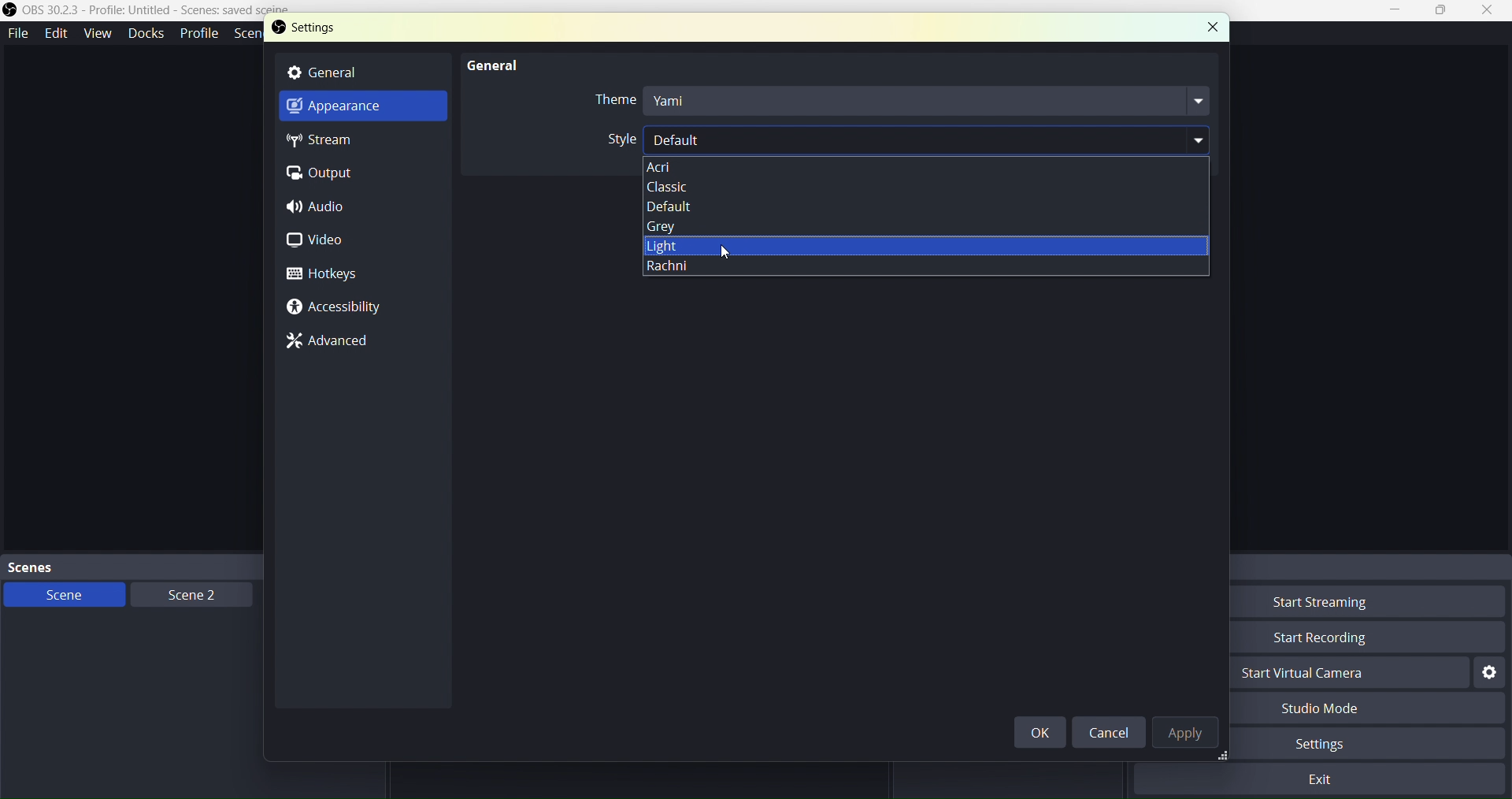  What do you see at coordinates (1349, 604) in the screenshot?
I see `Start Streaming` at bounding box center [1349, 604].